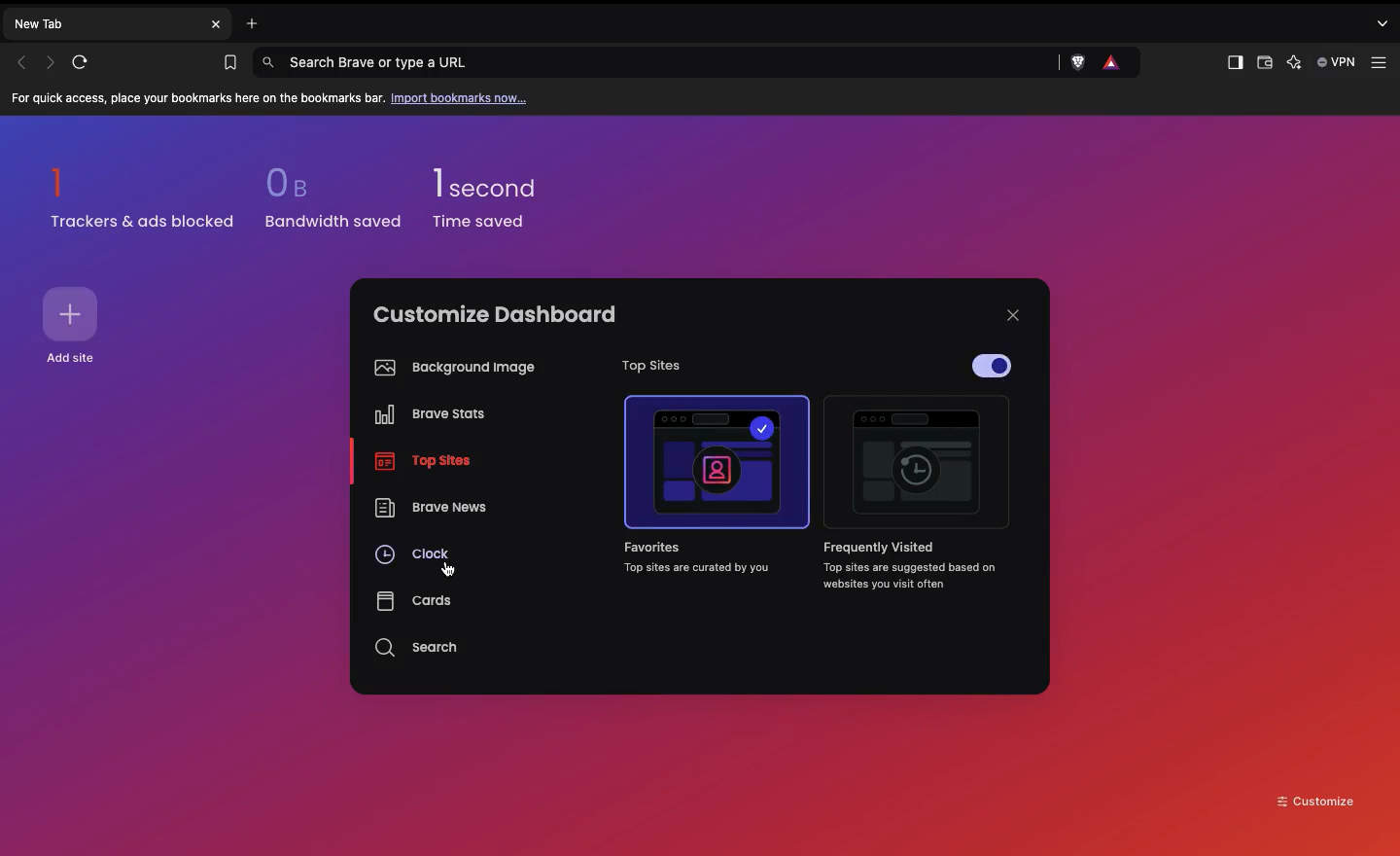 The height and width of the screenshot is (856, 1400). What do you see at coordinates (497, 190) in the screenshot?
I see `1 second time saved` at bounding box center [497, 190].